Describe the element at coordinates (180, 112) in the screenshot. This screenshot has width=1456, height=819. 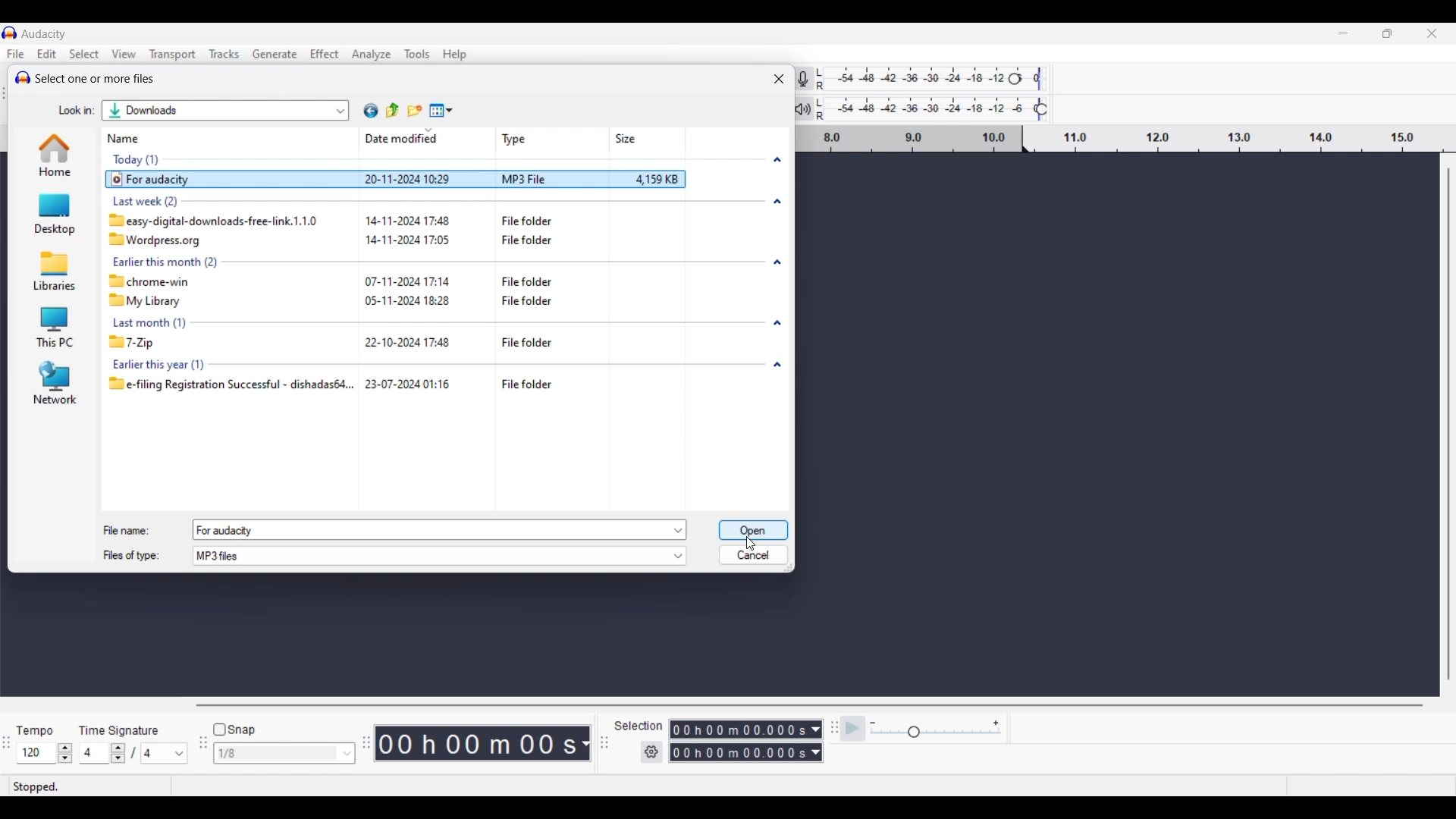
I see `Downloads (select folder)` at that location.